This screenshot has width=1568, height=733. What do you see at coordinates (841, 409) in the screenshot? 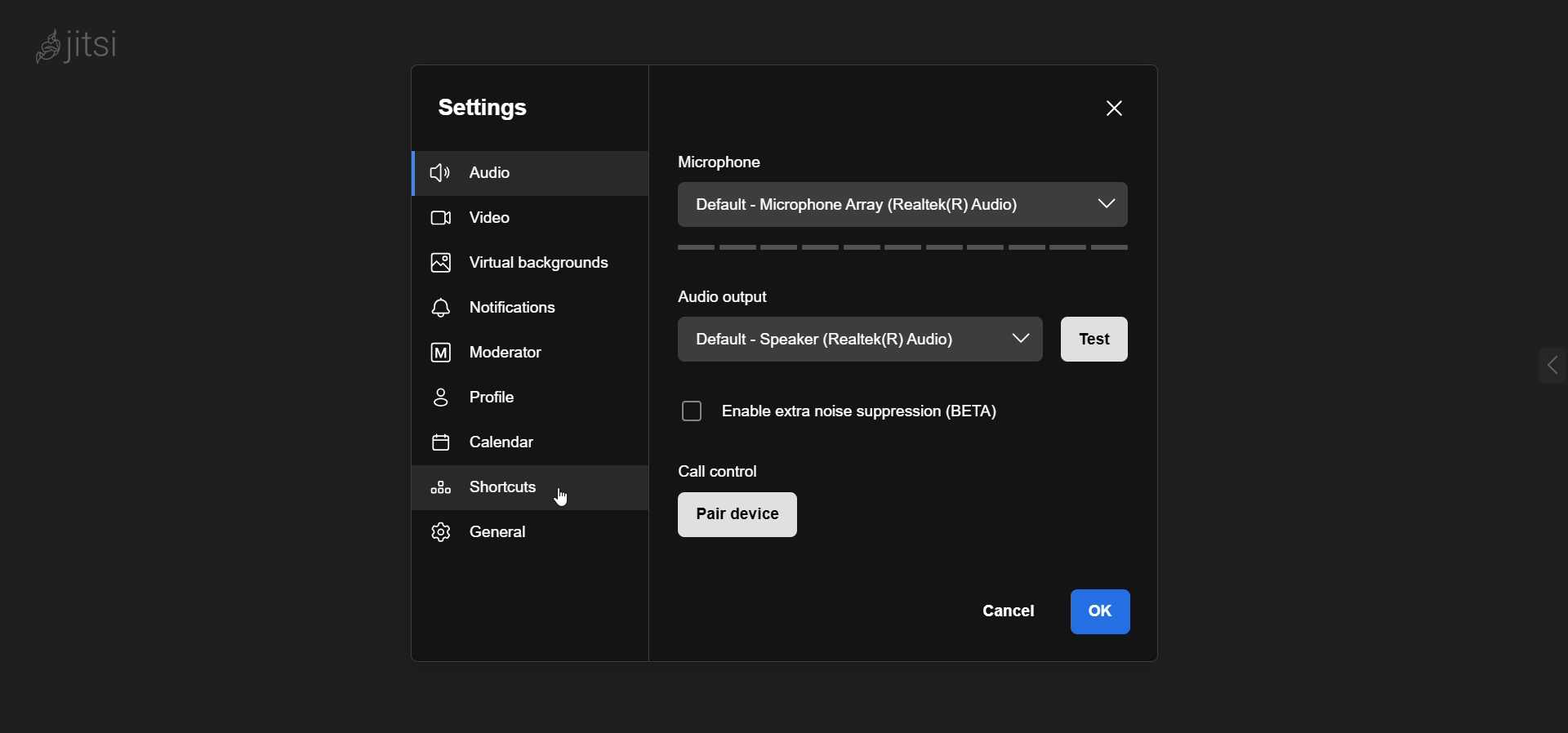
I see `O Enable extra noise suppression (BETA)` at bounding box center [841, 409].